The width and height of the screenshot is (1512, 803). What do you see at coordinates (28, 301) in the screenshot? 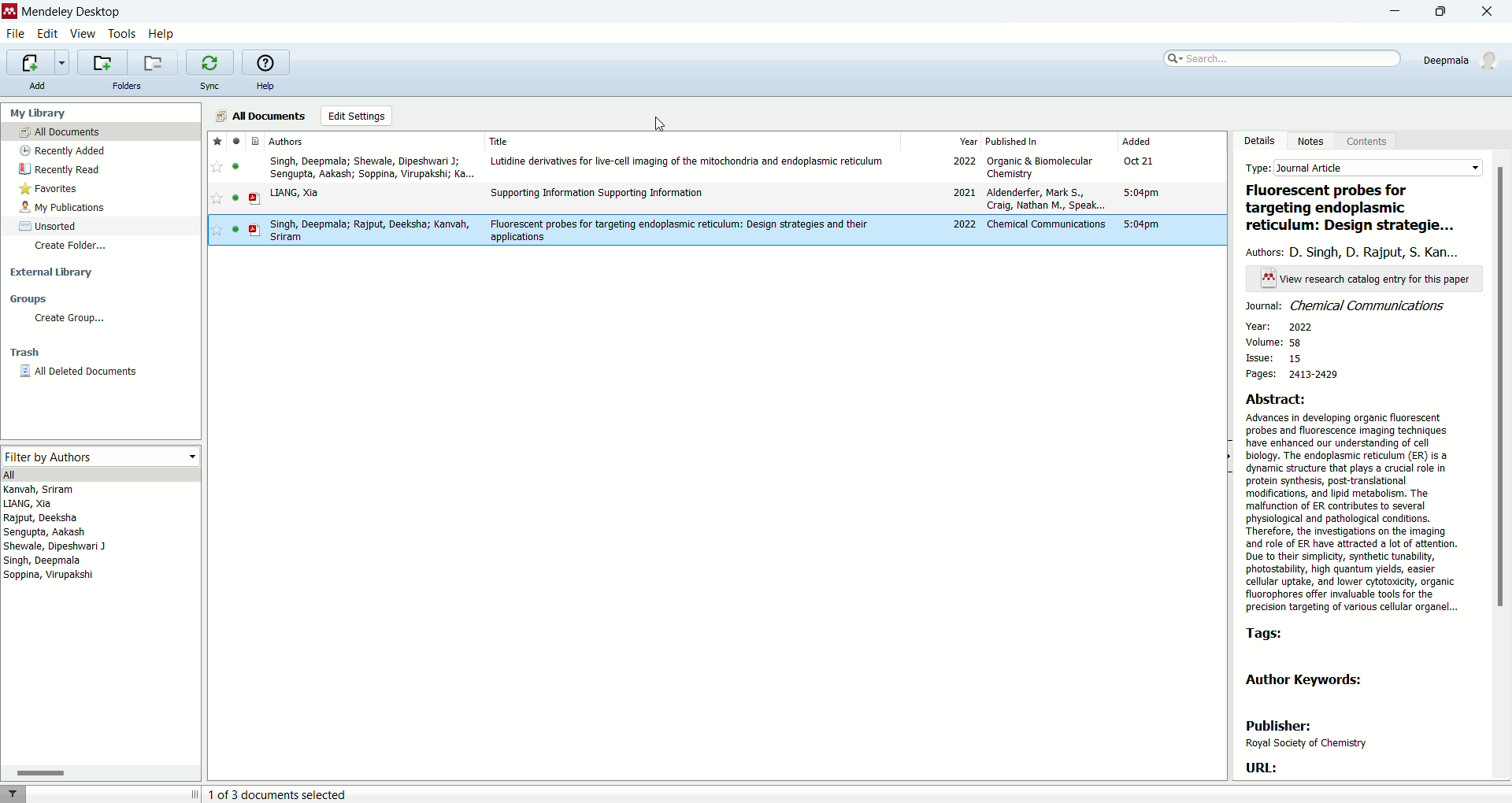
I see `groups` at bounding box center [28, 301].